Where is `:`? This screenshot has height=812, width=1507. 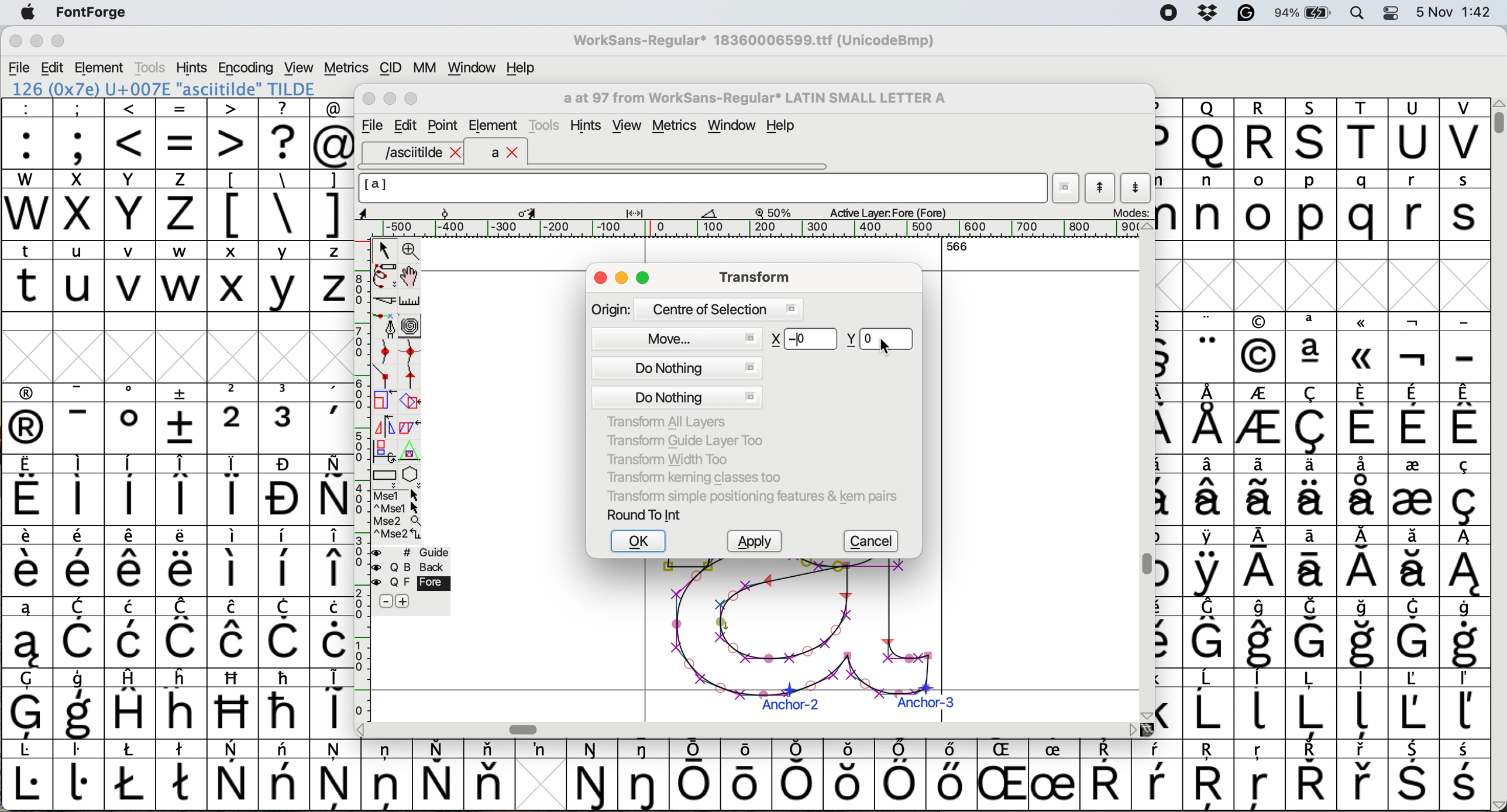 : is located at coordinates (28, 134).